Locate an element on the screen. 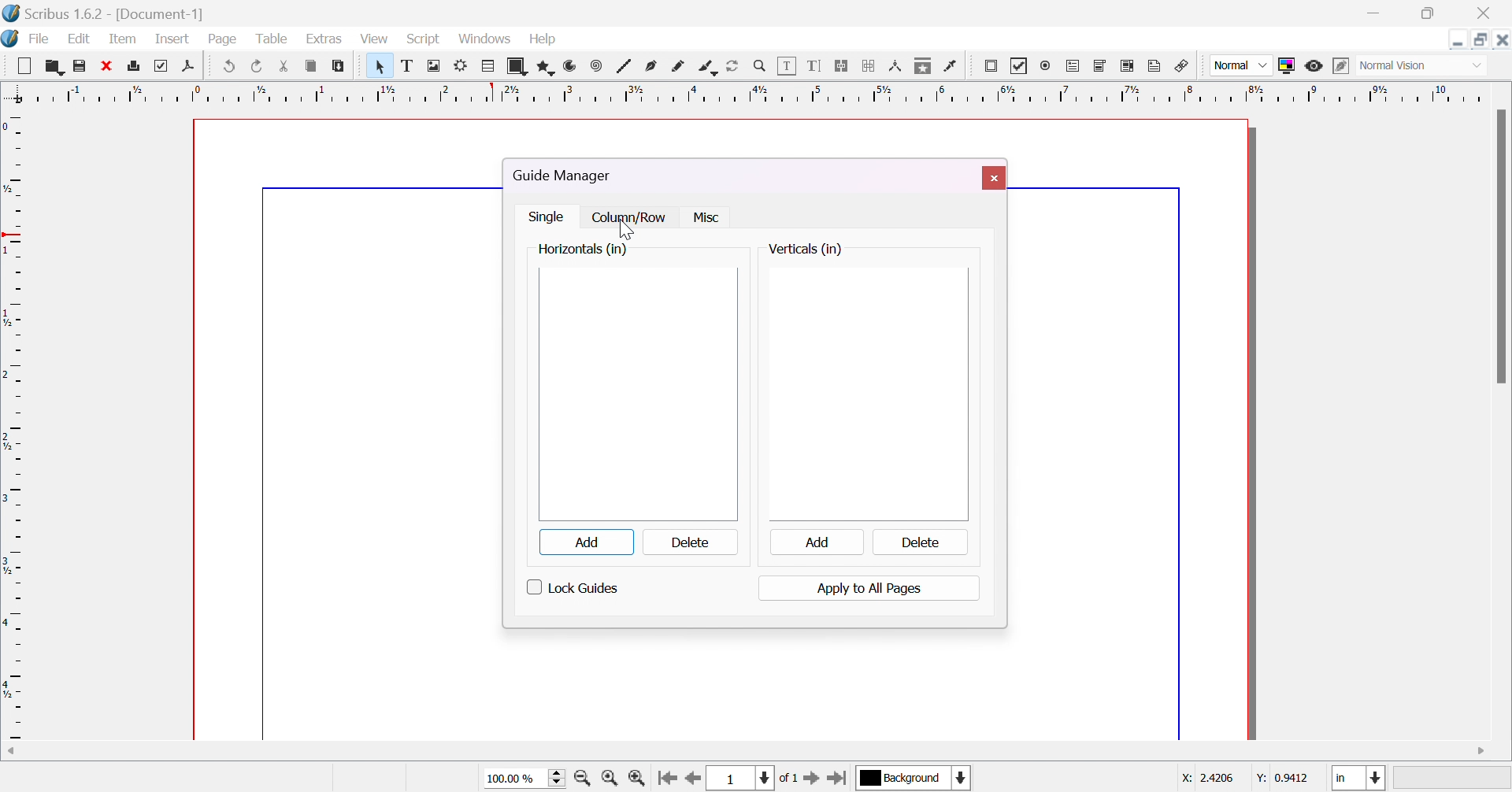 This screenshot has width=1512, height=792.  is located at coordinates (28, 65).